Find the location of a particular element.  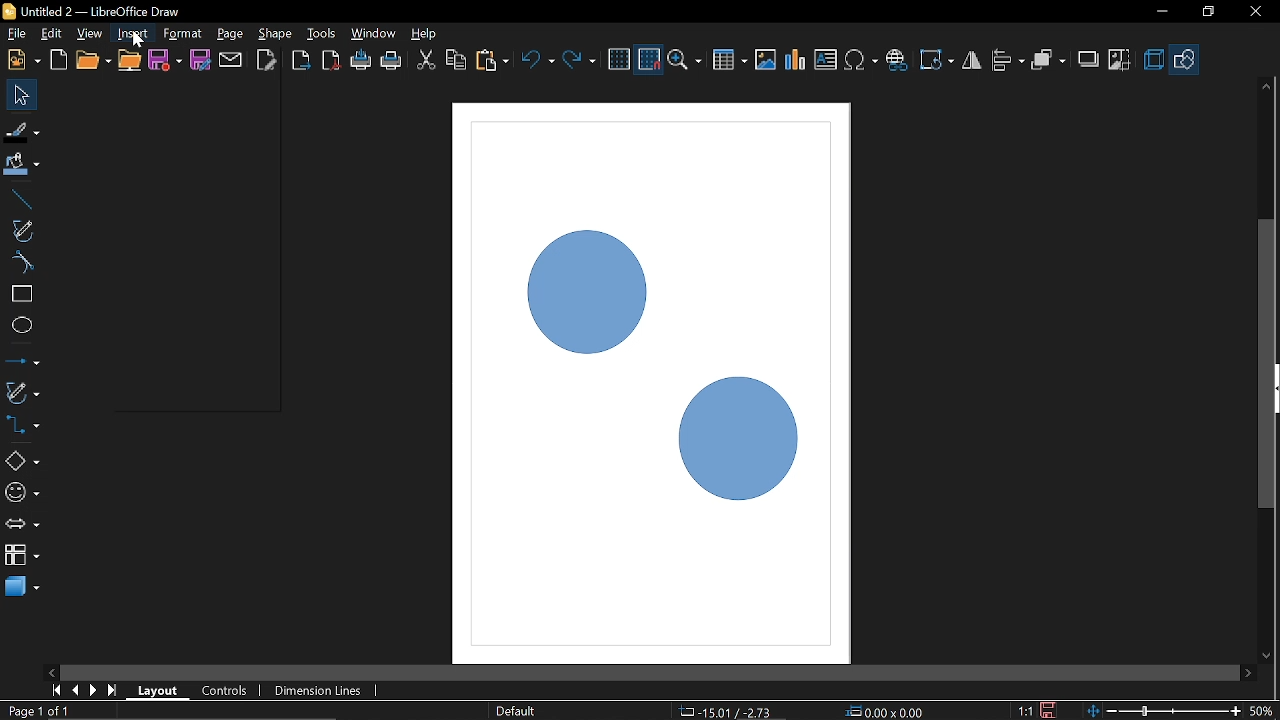

Open is located at coordinates (92, 61).